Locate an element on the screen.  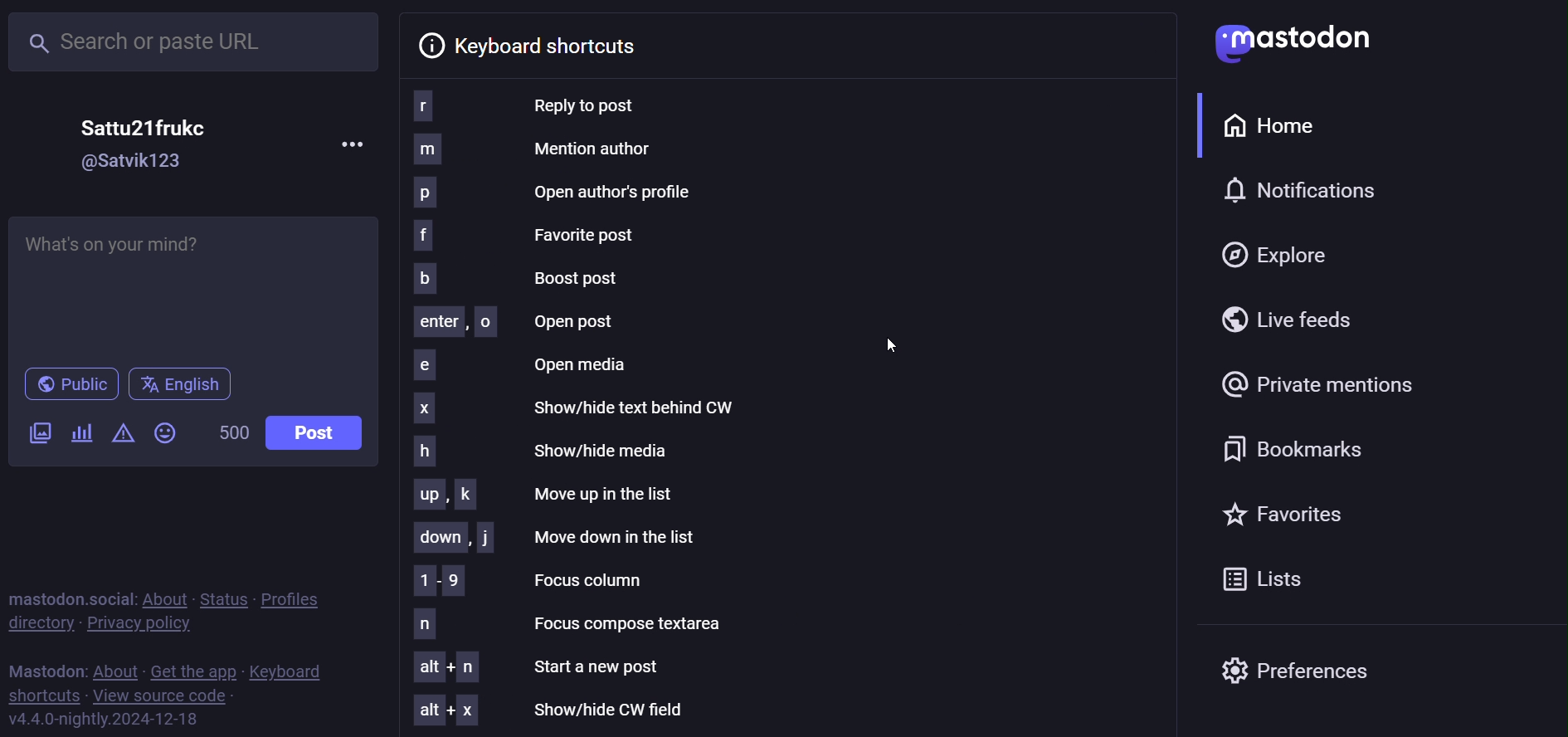
boost post is located at coordinates (523, 279).